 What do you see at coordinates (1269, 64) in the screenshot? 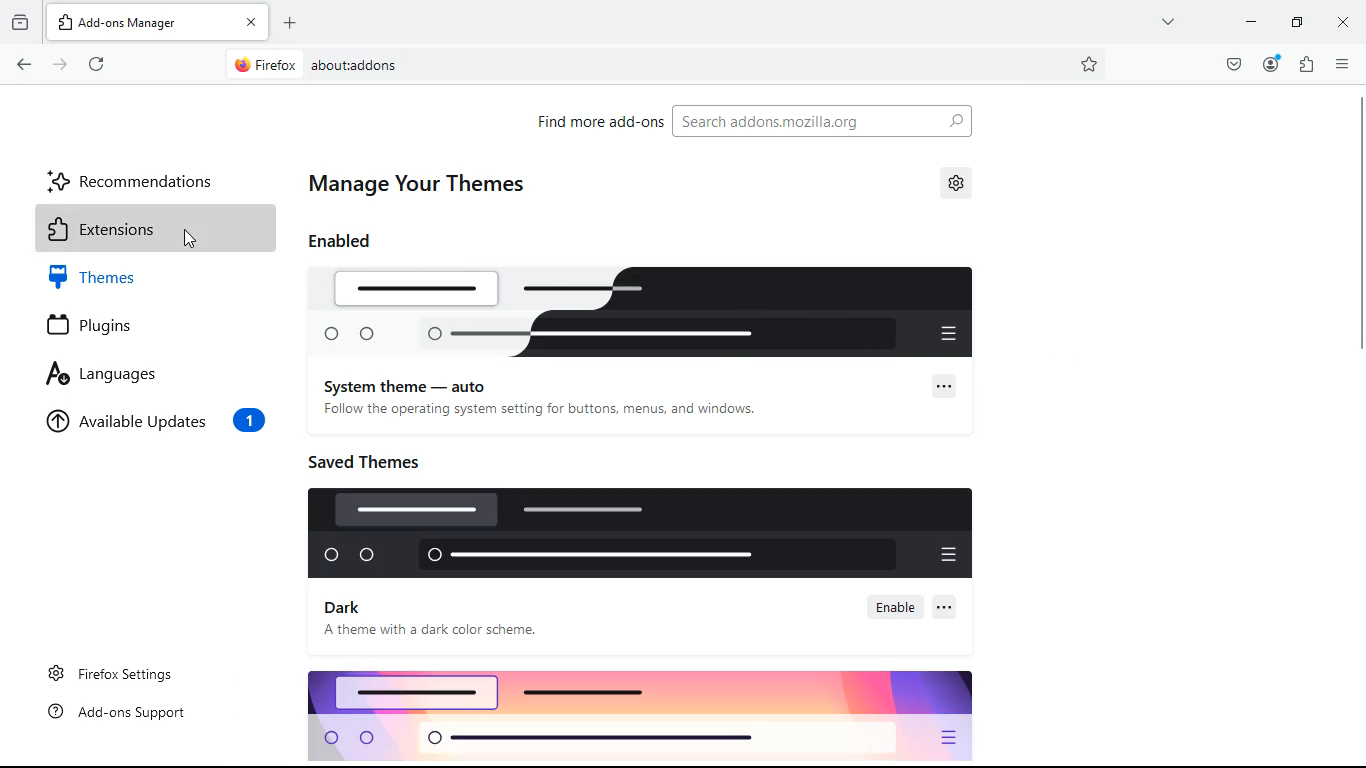
I see `profile` at bounding box center [1269, 64].